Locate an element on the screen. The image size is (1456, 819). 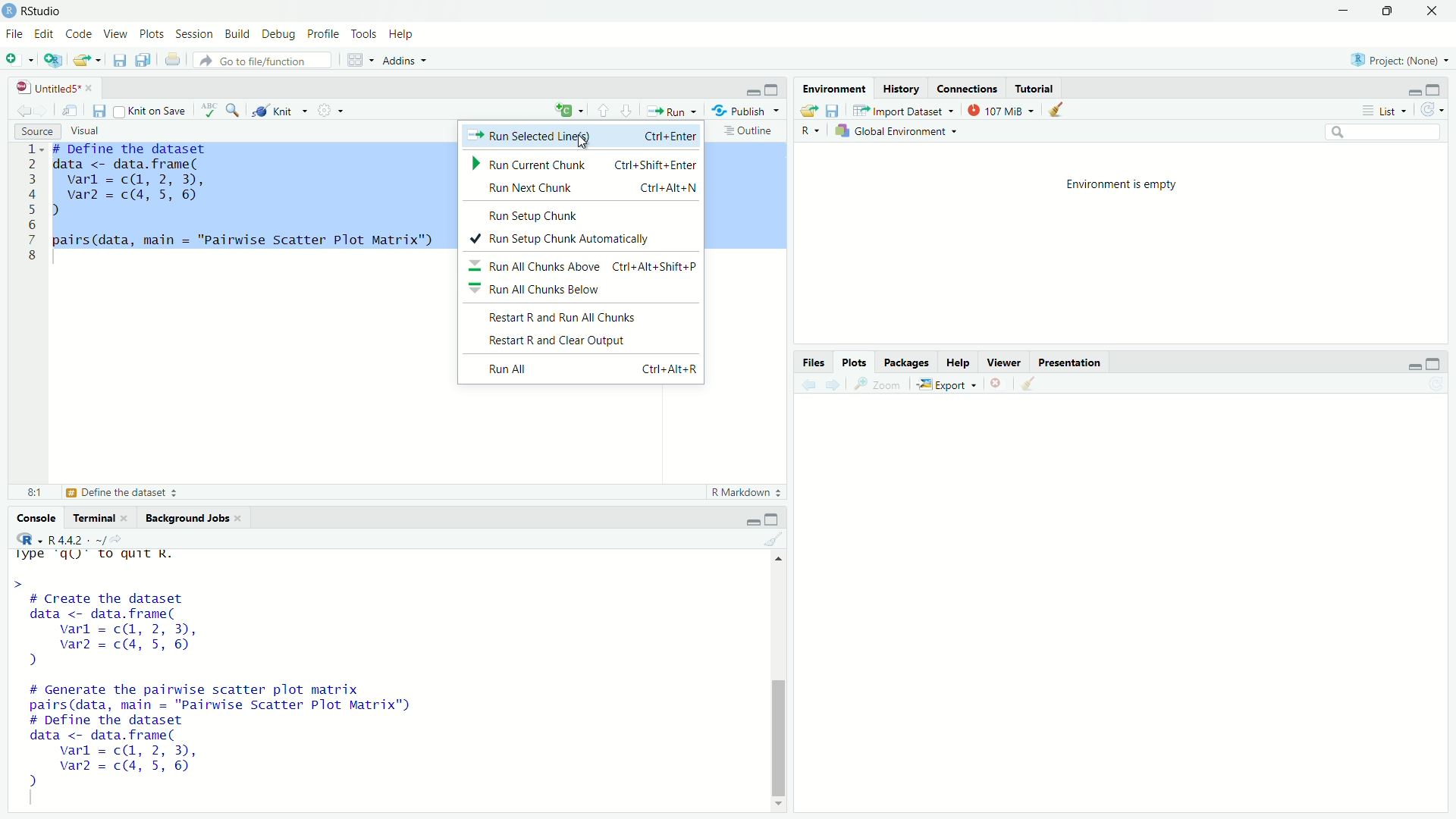
Run Next Chunk Ctri+Alt+N is located at coordinates (586, 187).